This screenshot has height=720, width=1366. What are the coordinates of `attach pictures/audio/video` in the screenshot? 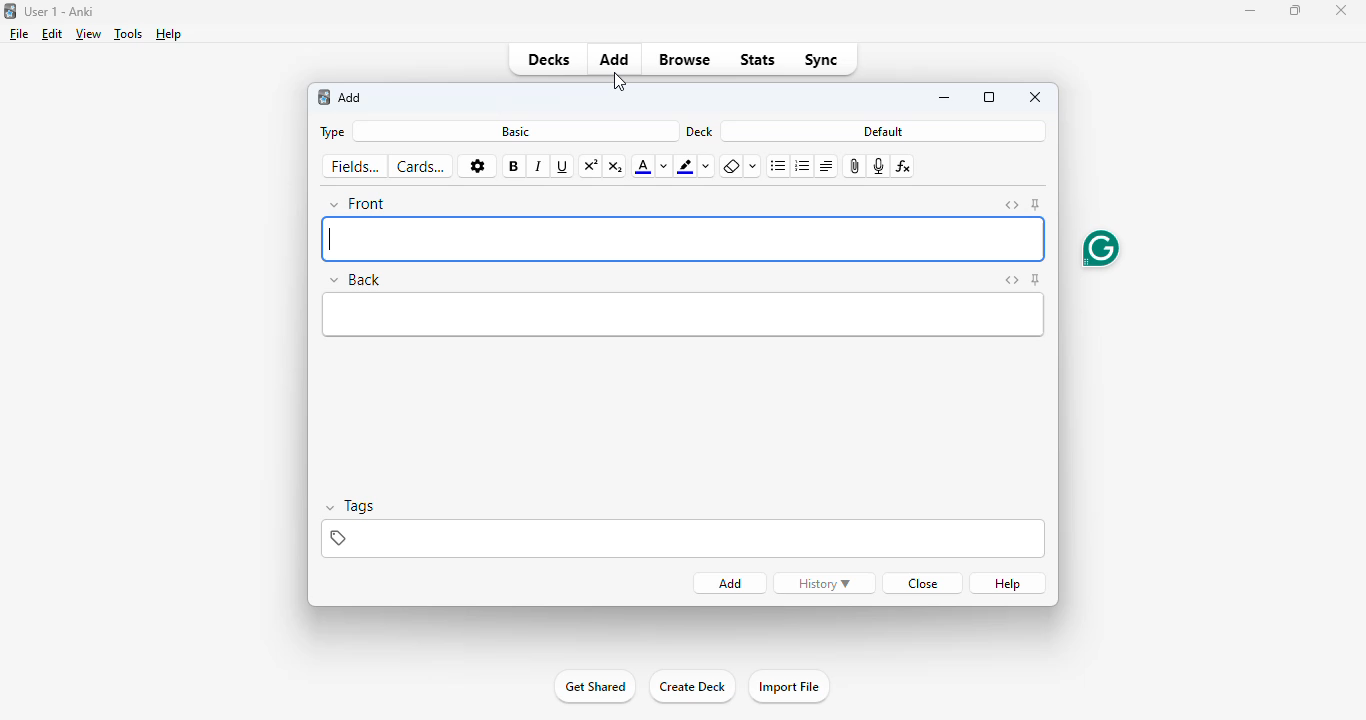 It's located at (856, 166).